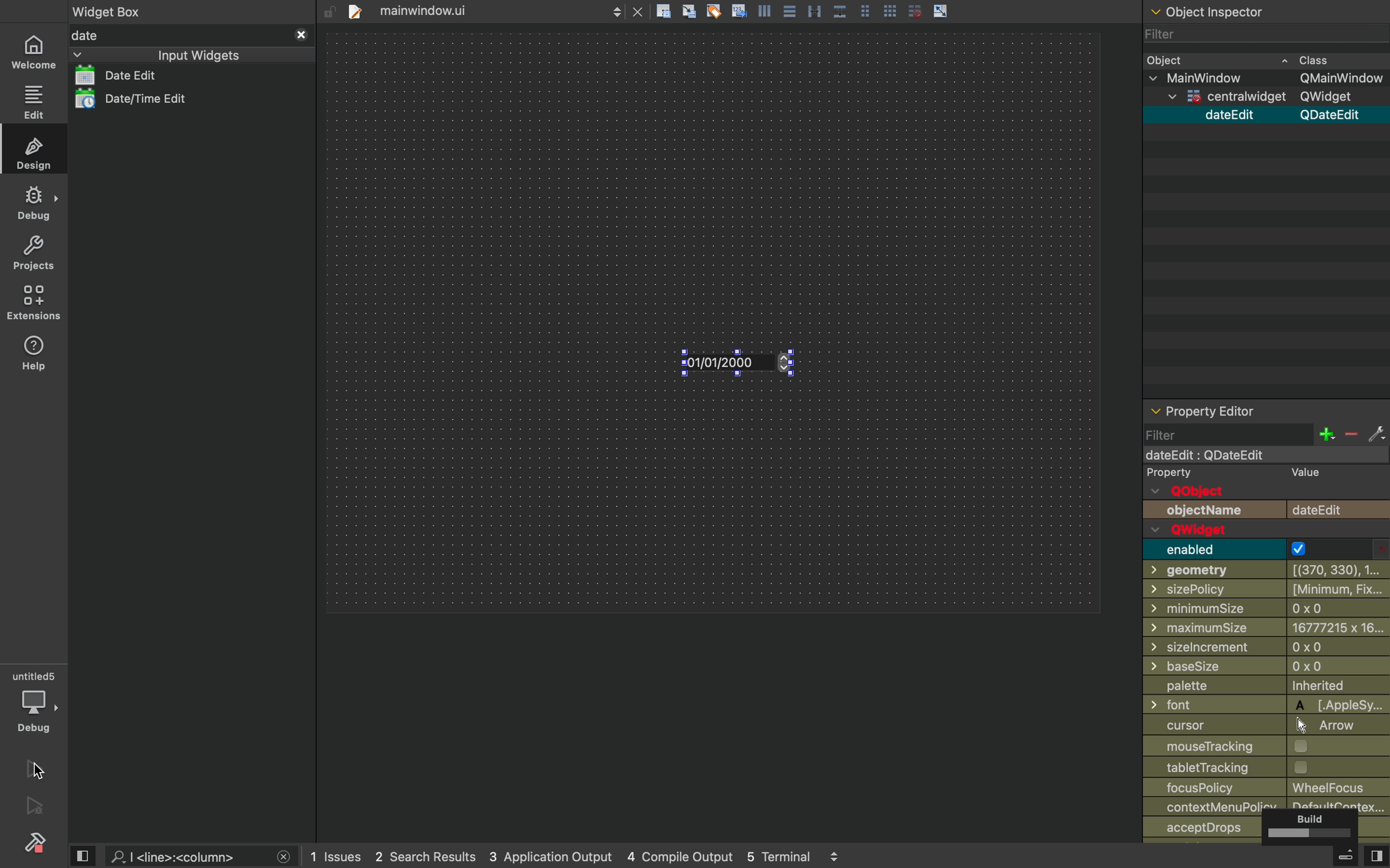 This screenshot has height=868, width=1390. Describe the element at coordinates (690, 11) in the screenshot. I see `align to grid` at that location.